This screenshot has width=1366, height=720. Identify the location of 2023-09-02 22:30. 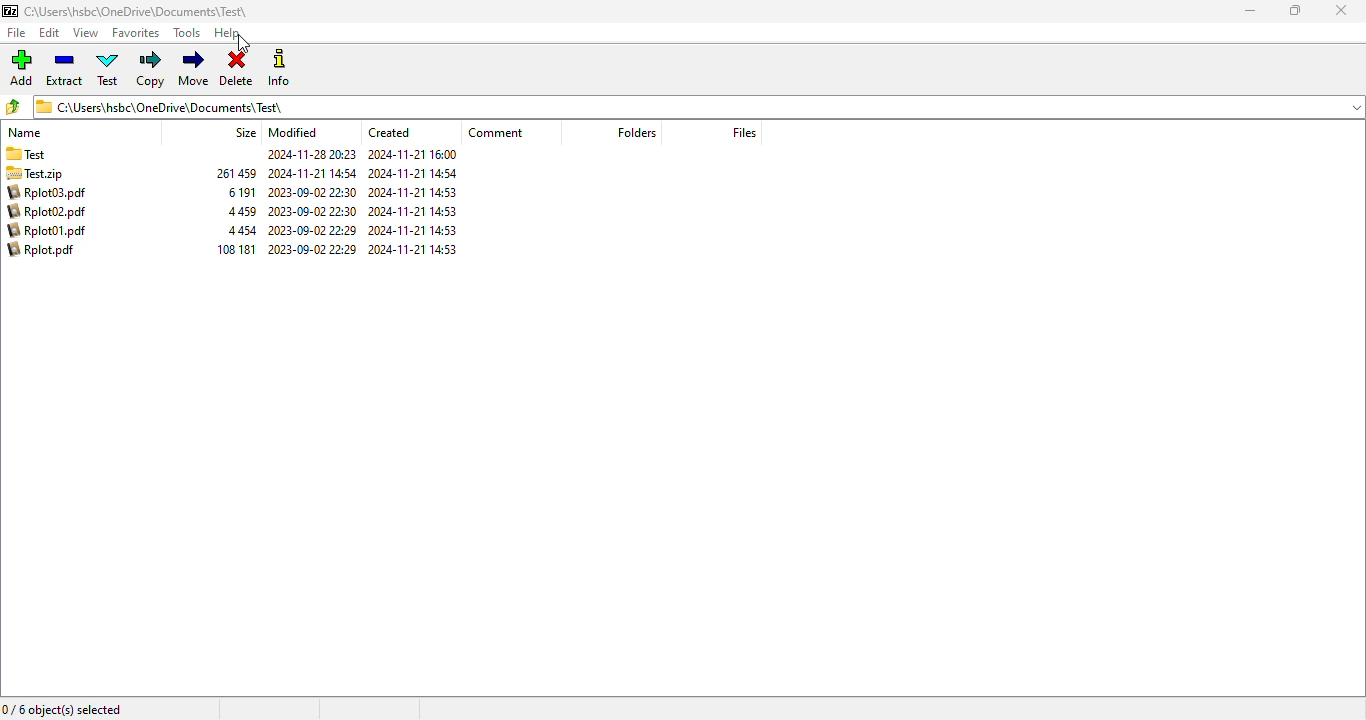
(314, 192).